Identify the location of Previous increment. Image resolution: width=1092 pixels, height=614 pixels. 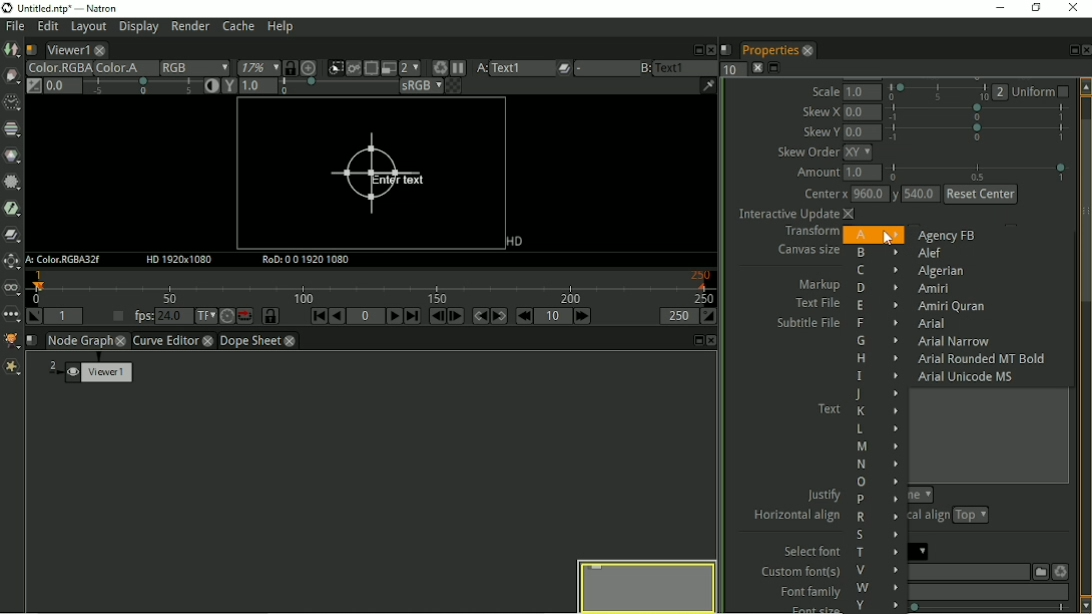
(524, 316).